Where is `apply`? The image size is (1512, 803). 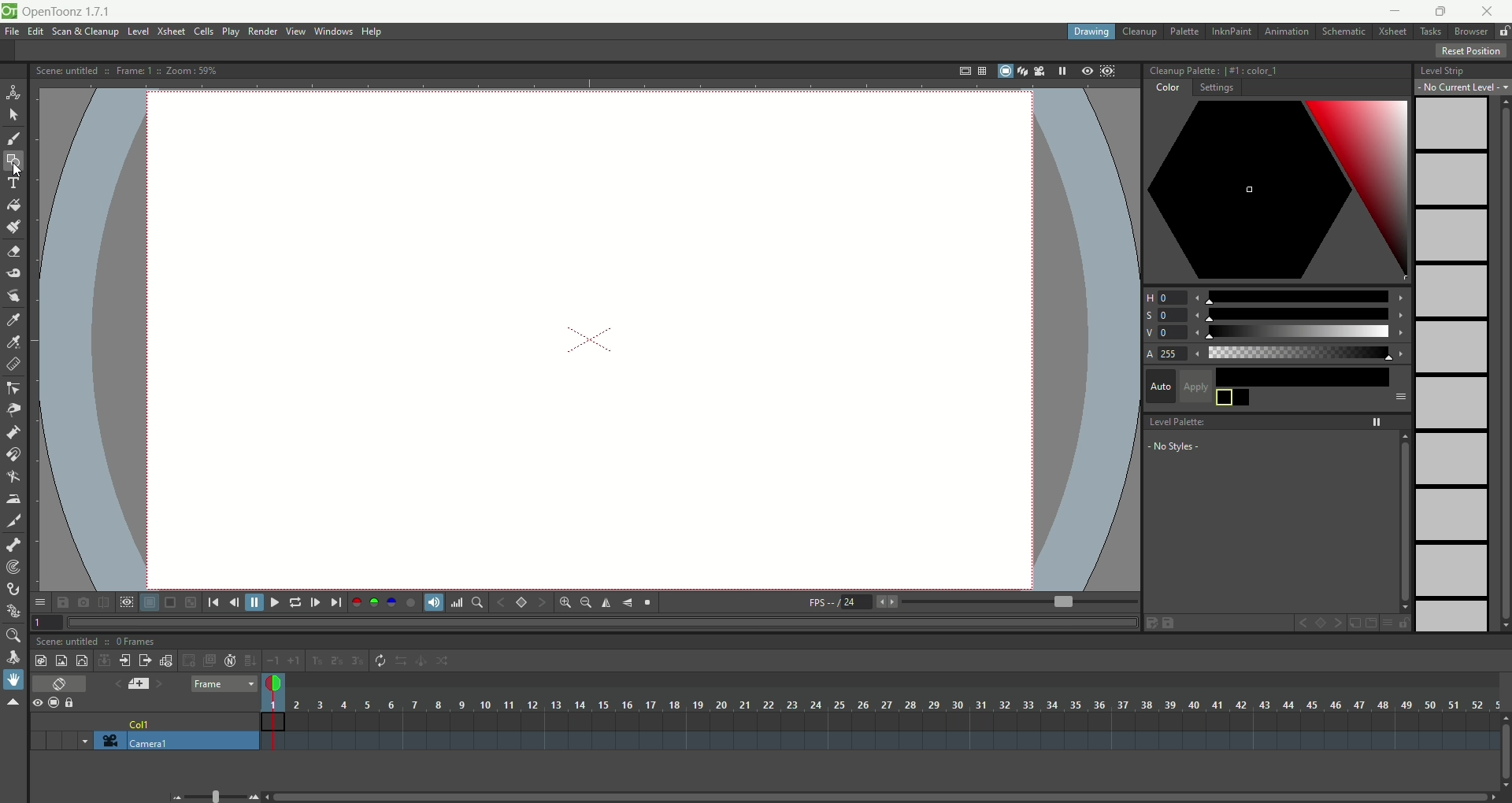 apply is located at coordinates (1295, 387).